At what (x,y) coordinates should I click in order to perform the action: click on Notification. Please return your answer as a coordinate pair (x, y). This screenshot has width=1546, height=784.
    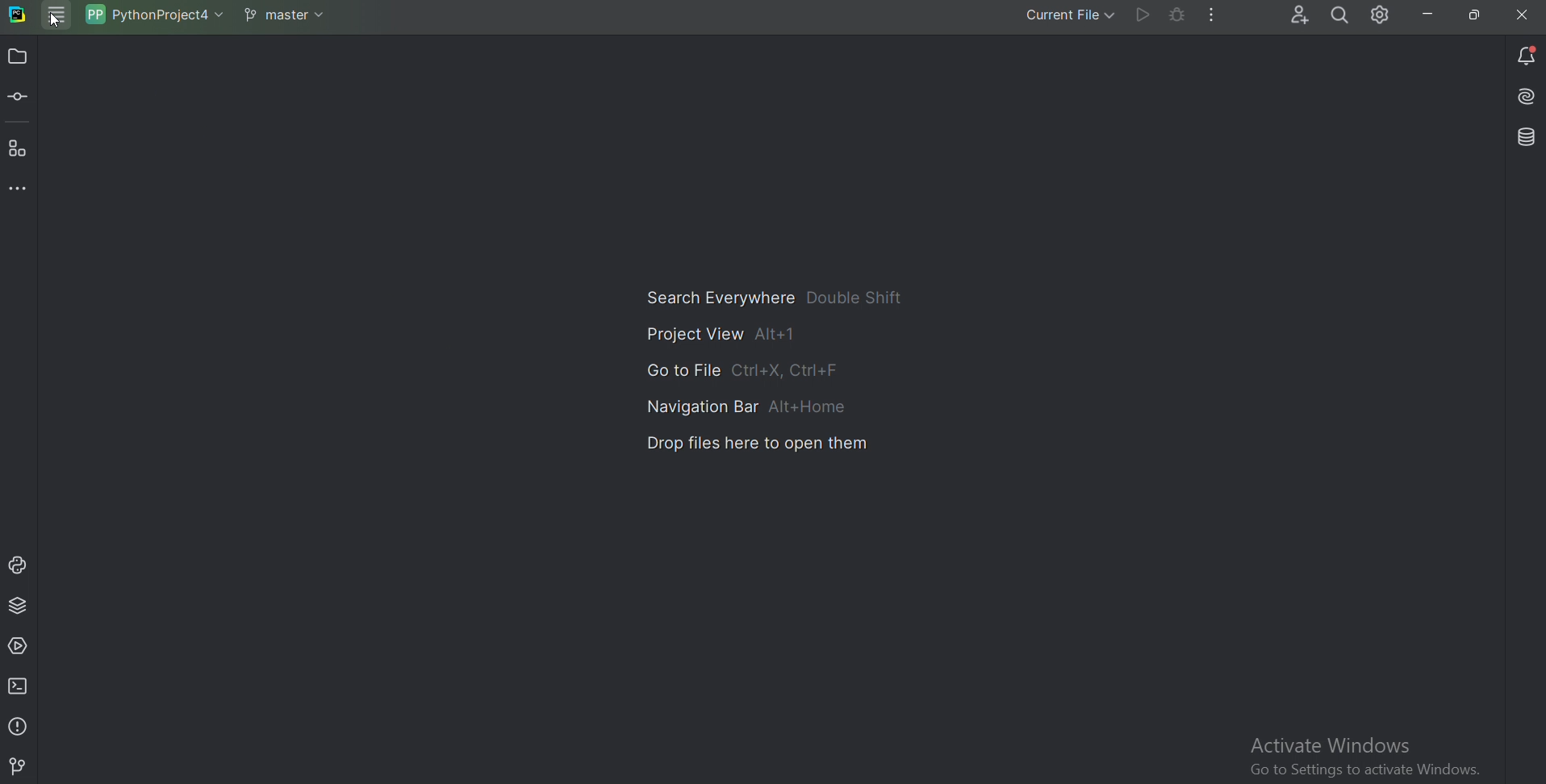
    Looking at the image, I should click on (1527, 55).